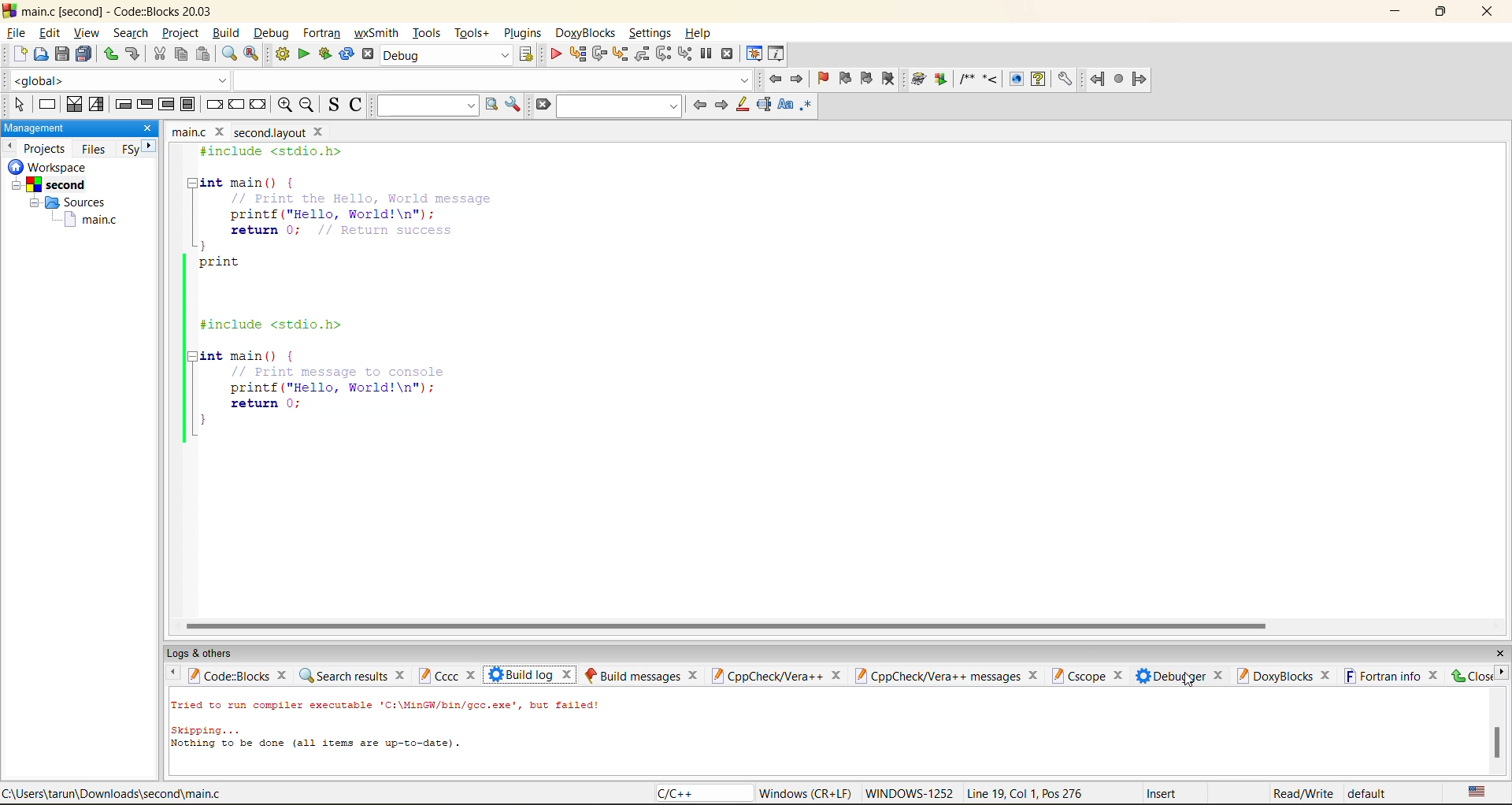 The width and height of the screenshot is (1512, 805). I want to click on break debugger, so click(707, 53).